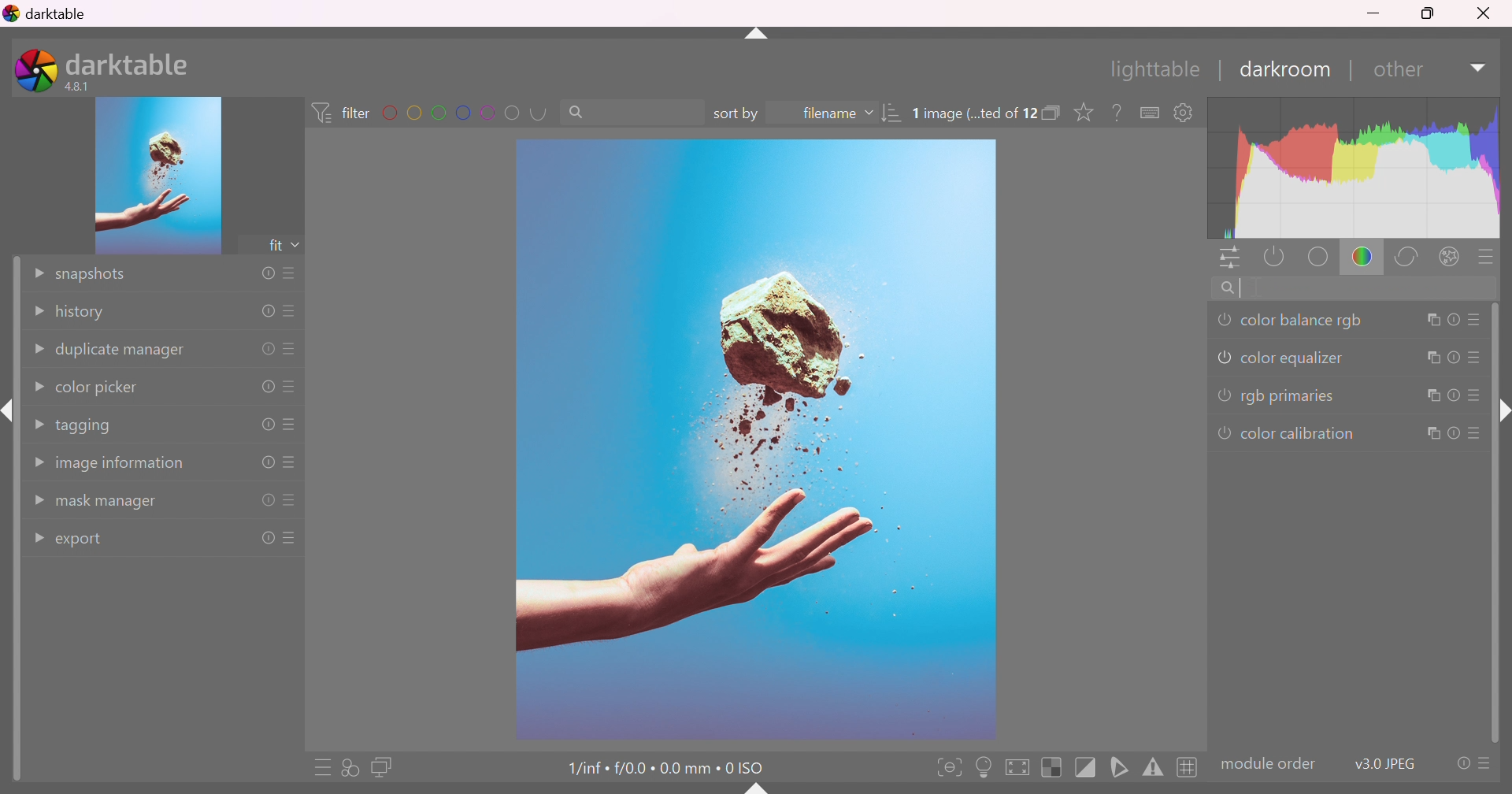 The width and height of the screenshot is (1512, 794). What do you see at coordinates (264, 425) in the screenshot?
I see `reset` at bounding box center [264, 425].